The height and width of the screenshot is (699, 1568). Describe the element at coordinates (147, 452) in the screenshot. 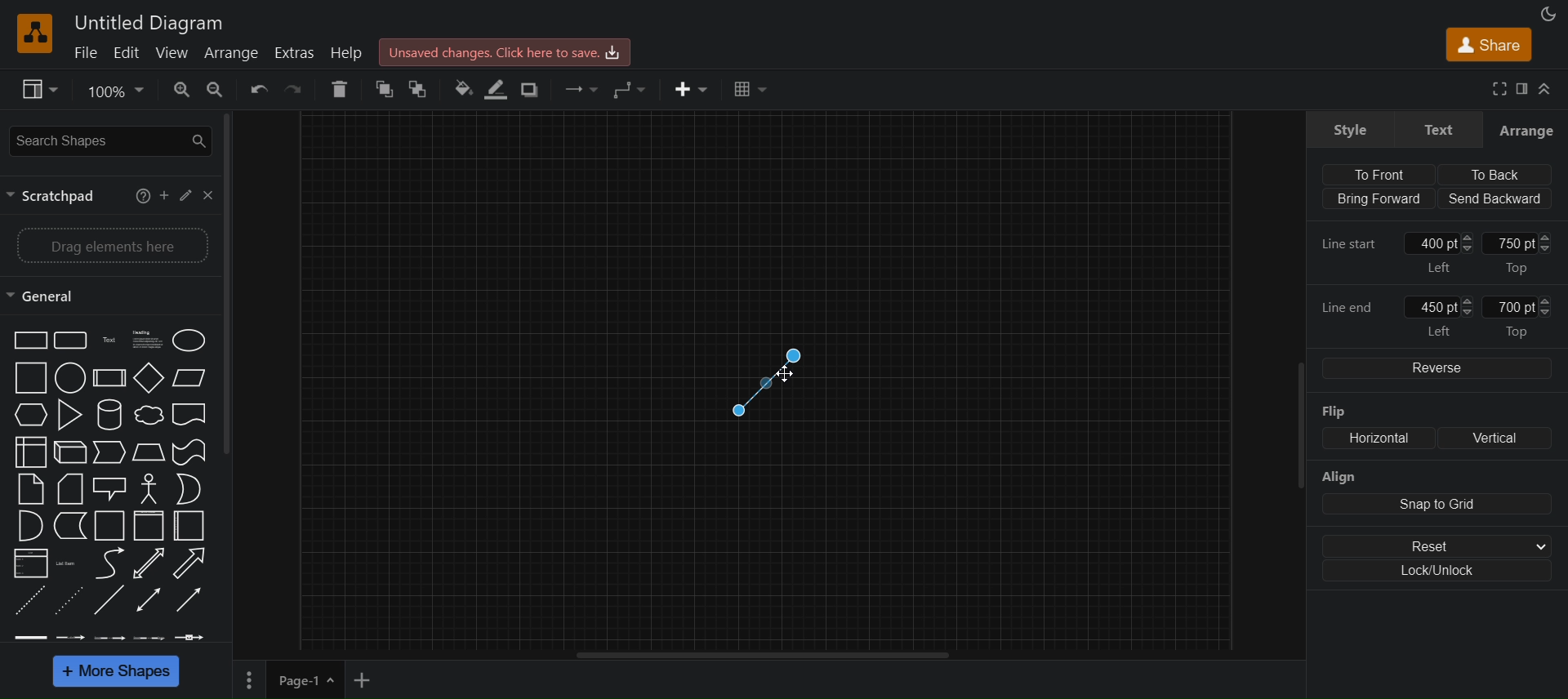

I see `Trapezoid` at that location.